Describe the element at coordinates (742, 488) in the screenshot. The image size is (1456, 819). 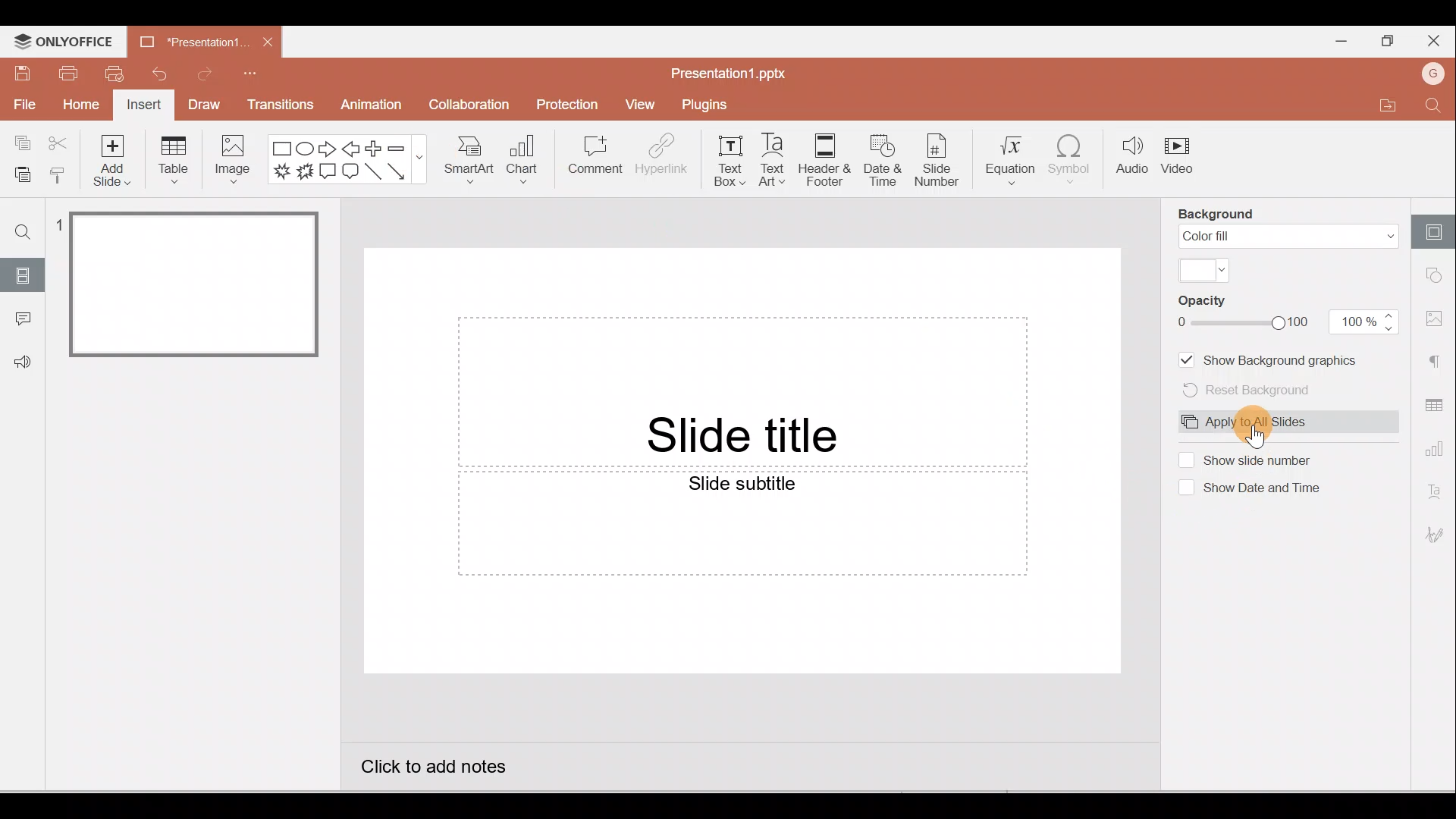
I see `Master Presentation slide` at that location.